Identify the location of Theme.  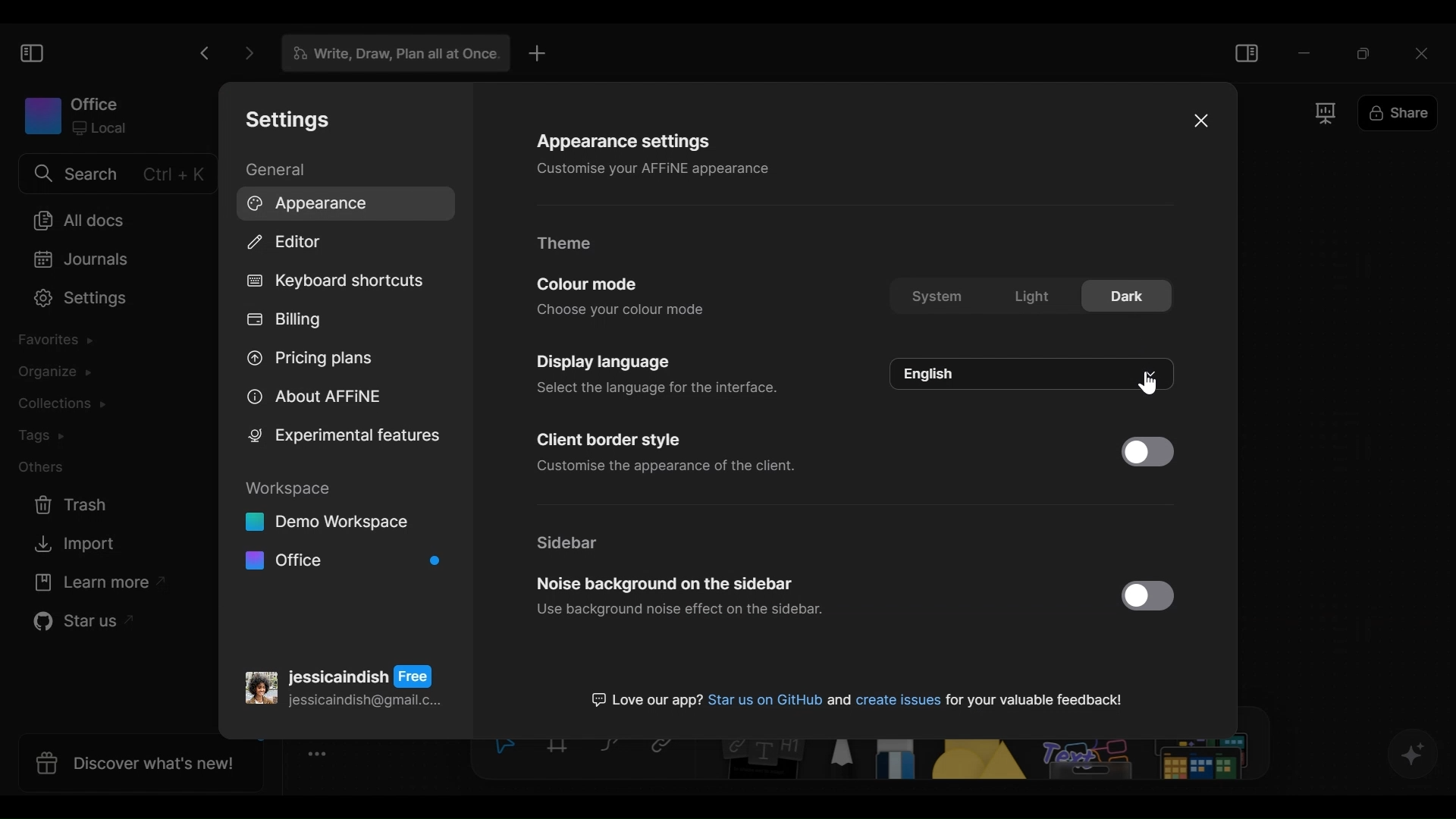
(570, 244).